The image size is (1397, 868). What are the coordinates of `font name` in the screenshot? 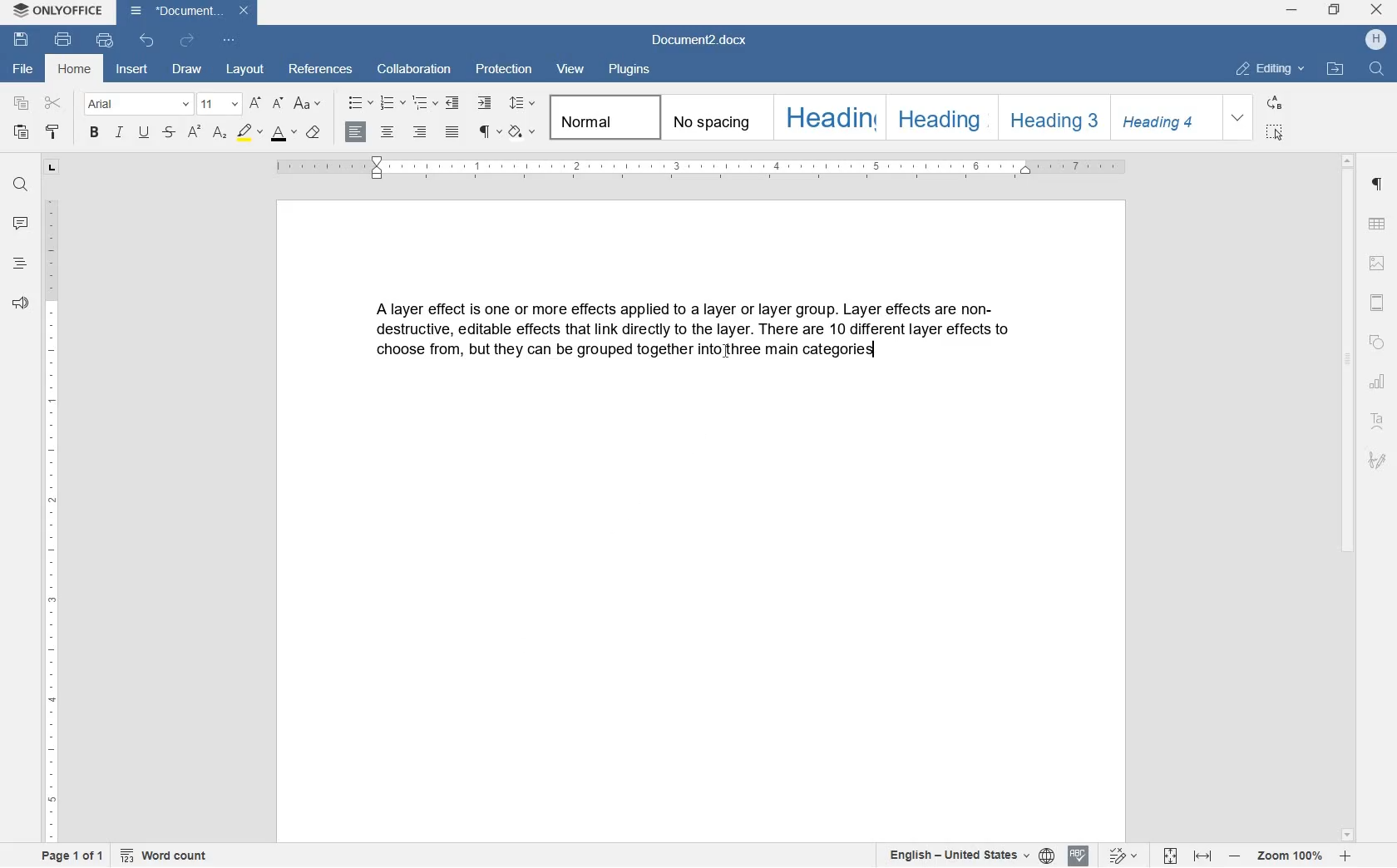 It's located at (136, 104).